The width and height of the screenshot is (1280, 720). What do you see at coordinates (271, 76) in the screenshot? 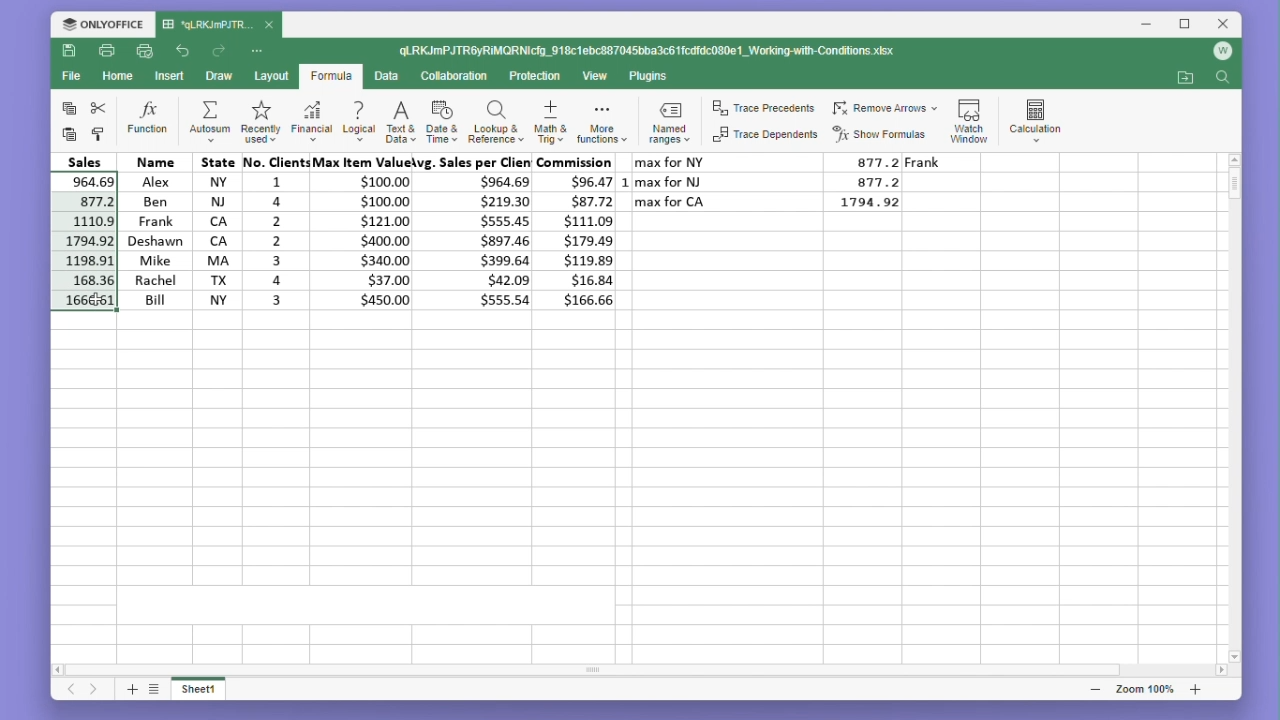
I see `Layout` at bounding box center [271, 76].